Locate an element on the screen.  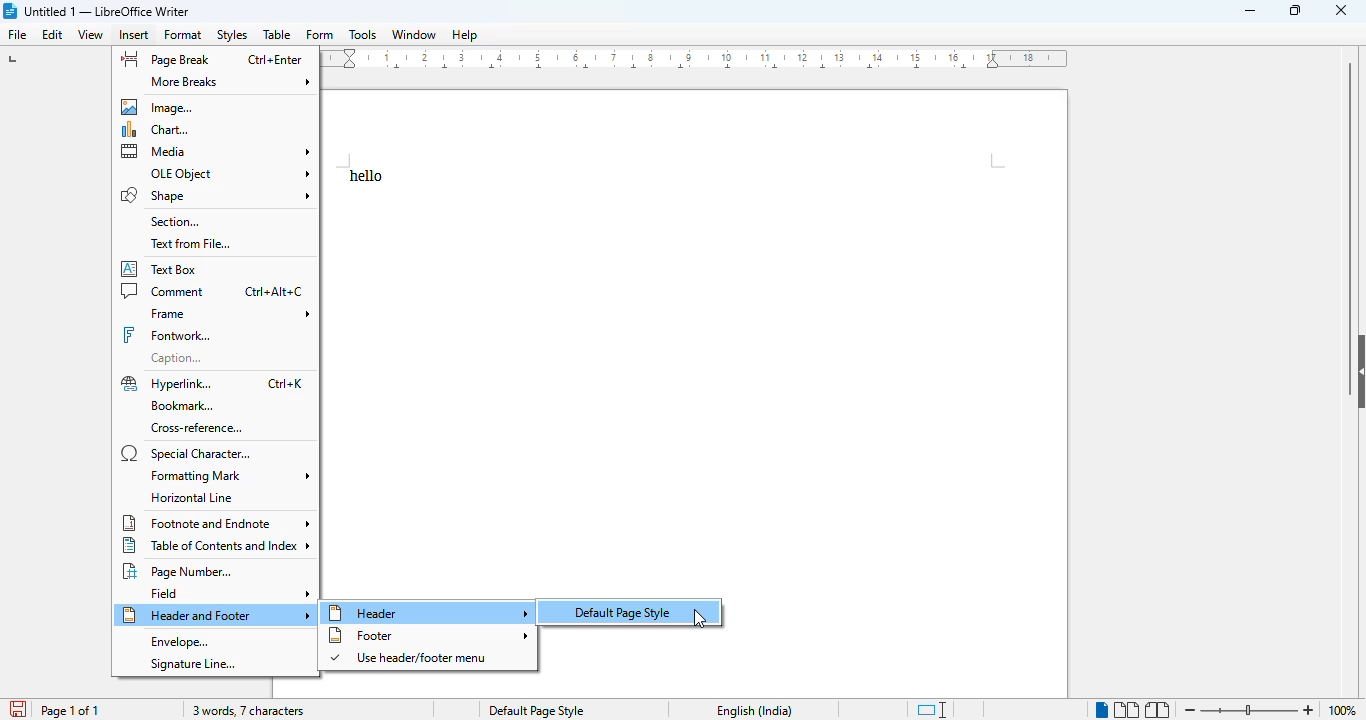
shortcut for hyperlink is located at coordinates (283, 383).